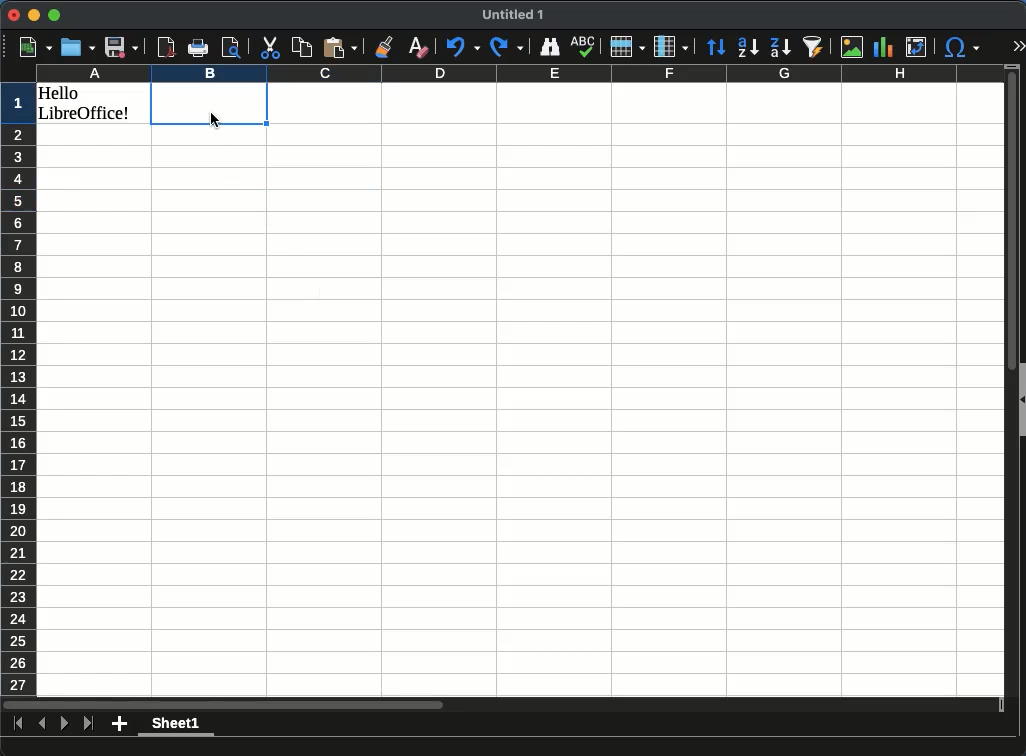  What do you see at coordinates (671, 46) in the screenshot?
I see `columns` at bounding box center [671, 46].